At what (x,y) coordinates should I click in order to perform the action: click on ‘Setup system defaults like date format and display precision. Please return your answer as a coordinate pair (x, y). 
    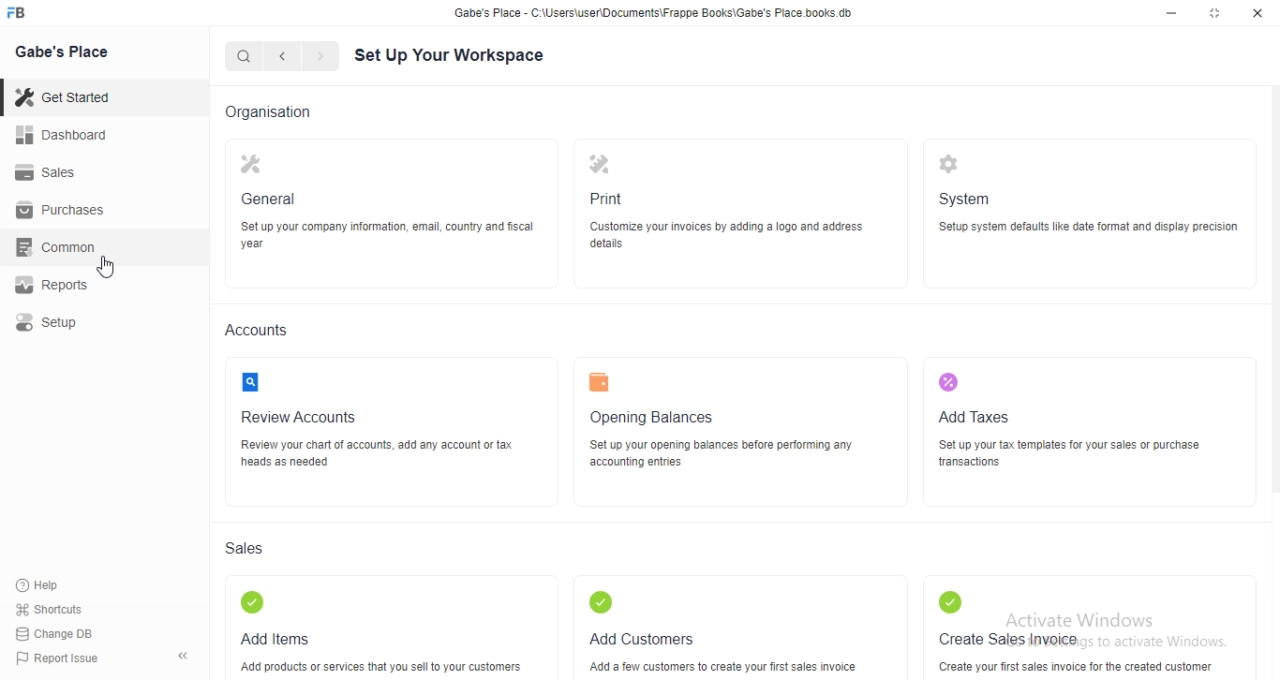
    Looking at the image, I should click on (1091, 229).